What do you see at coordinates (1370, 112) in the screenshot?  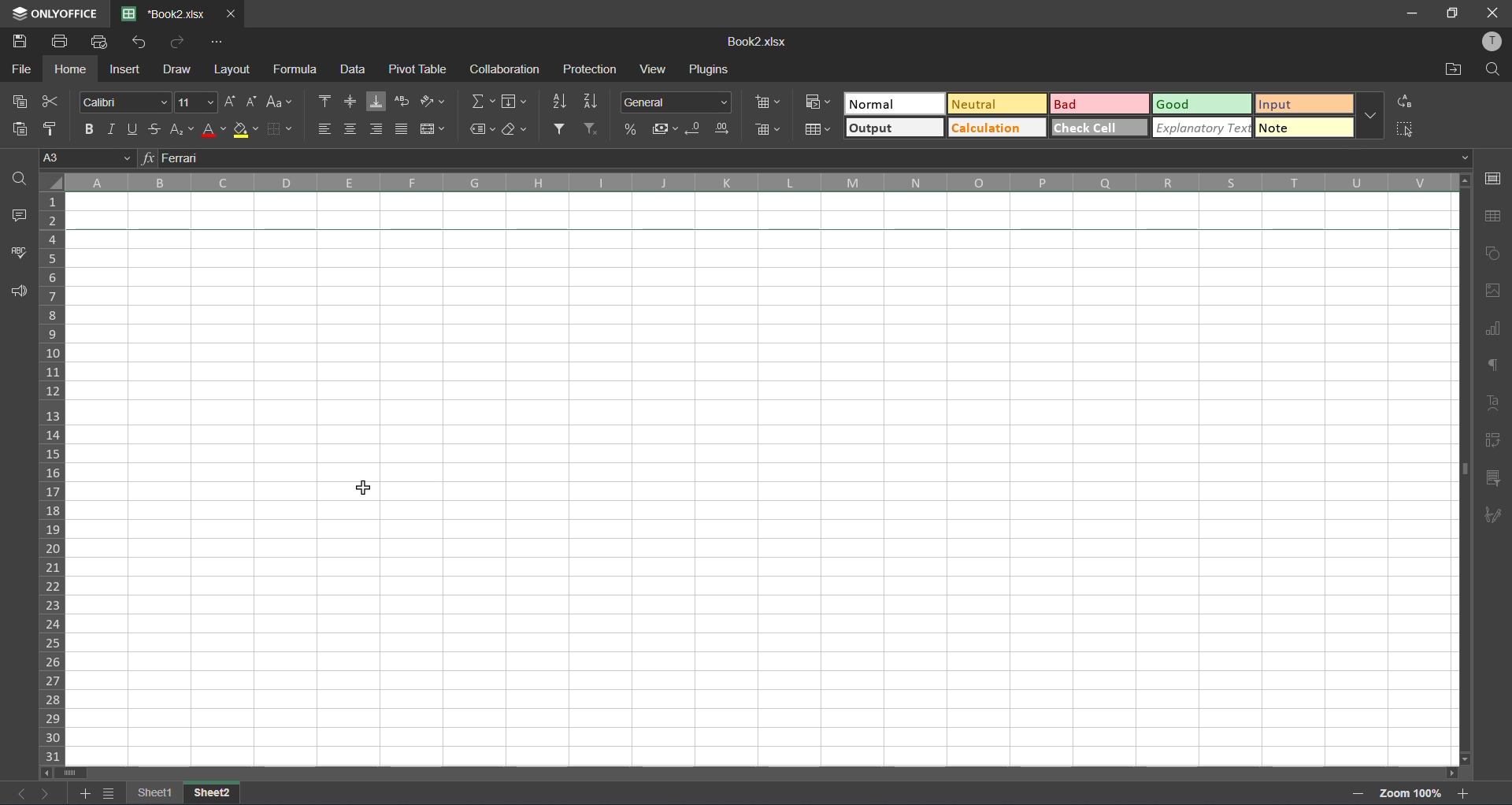 I see `more options` at bounding box center [1370, 112].